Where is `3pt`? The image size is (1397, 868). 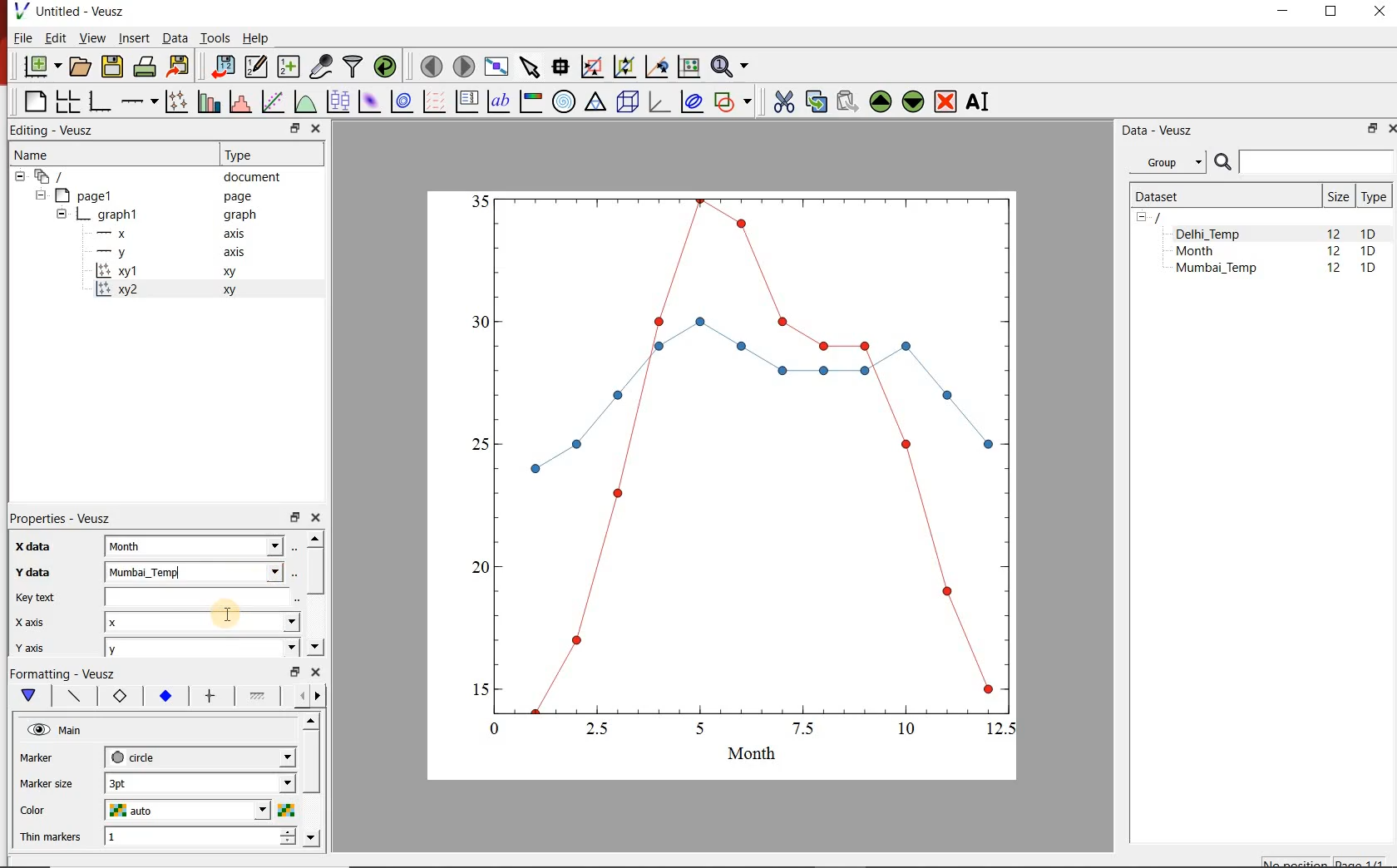
3pt is located at coordinates (200, 783).